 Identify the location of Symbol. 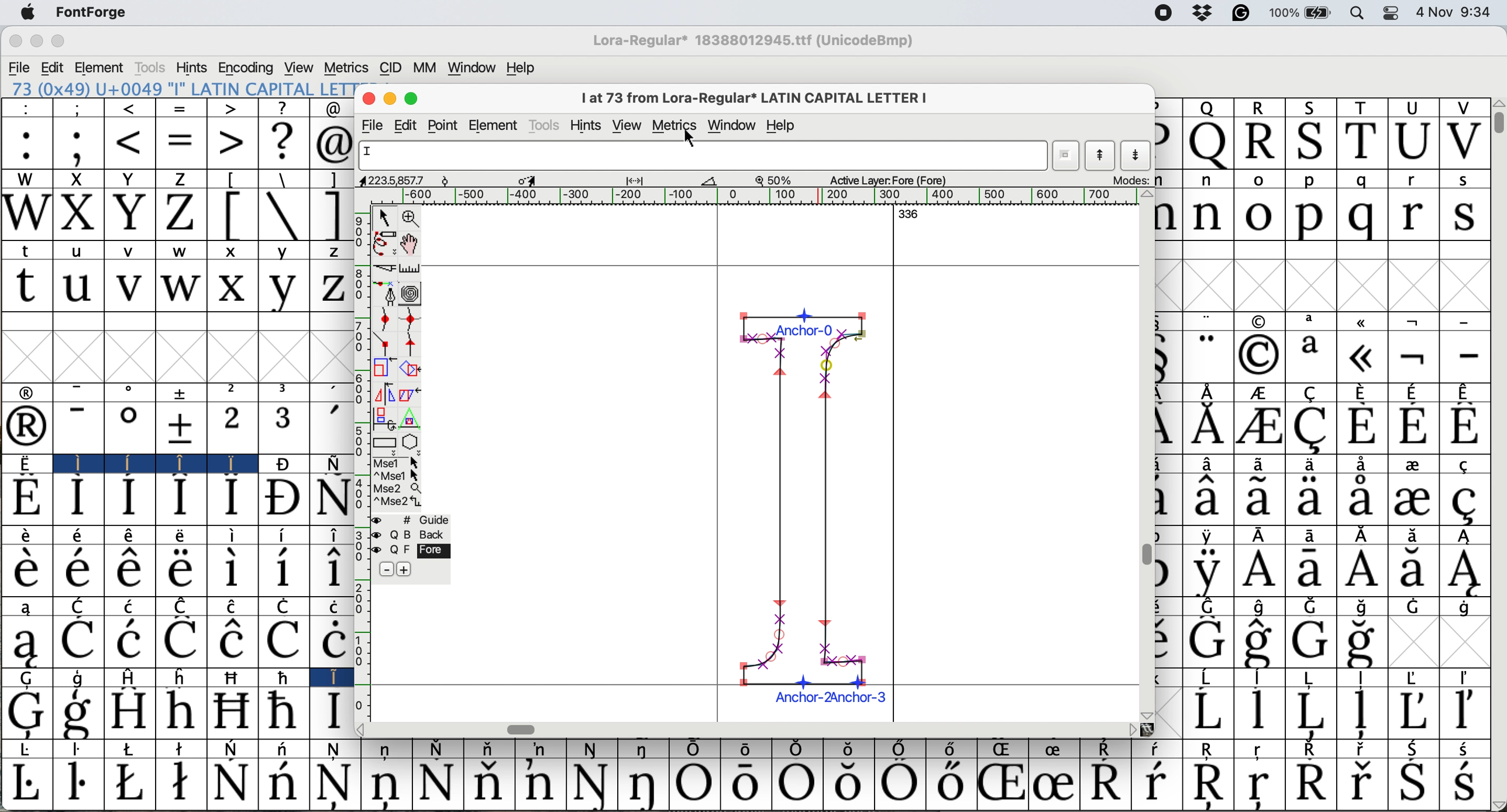
(1264, 642).